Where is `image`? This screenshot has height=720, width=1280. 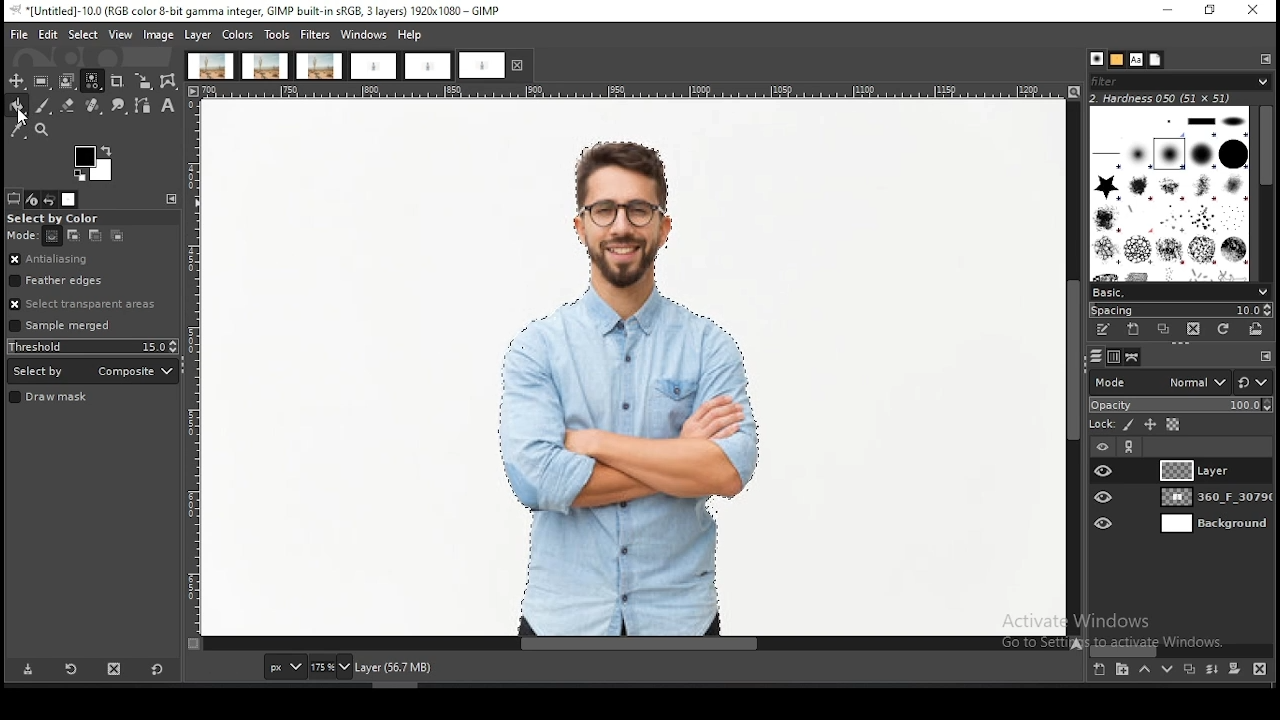
image is located at coordinates (158, 36).